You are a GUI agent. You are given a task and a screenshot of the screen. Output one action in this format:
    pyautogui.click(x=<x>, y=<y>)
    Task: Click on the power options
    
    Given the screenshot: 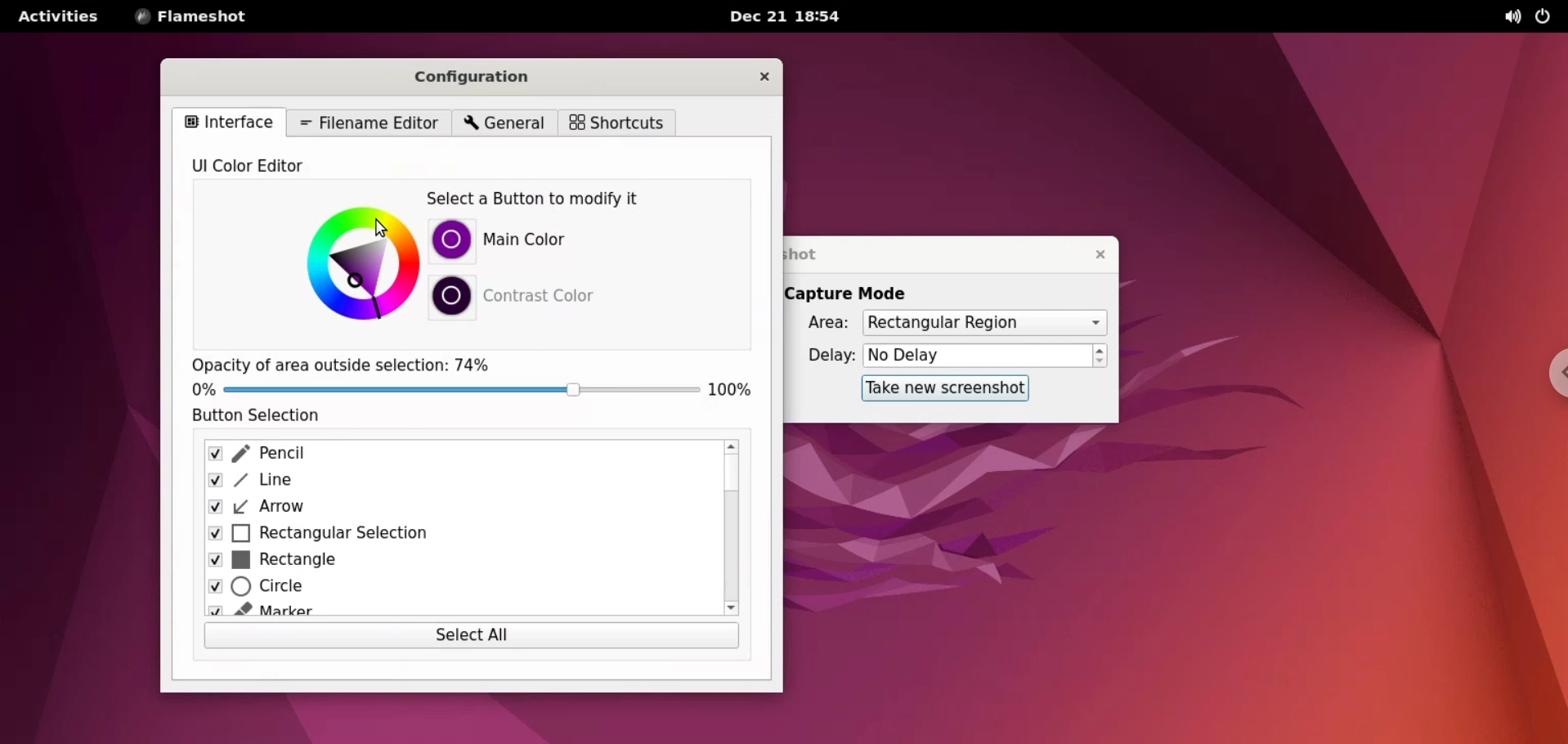 What is the action you would take?
    pyautogui.click(x=1548, y=17)
    